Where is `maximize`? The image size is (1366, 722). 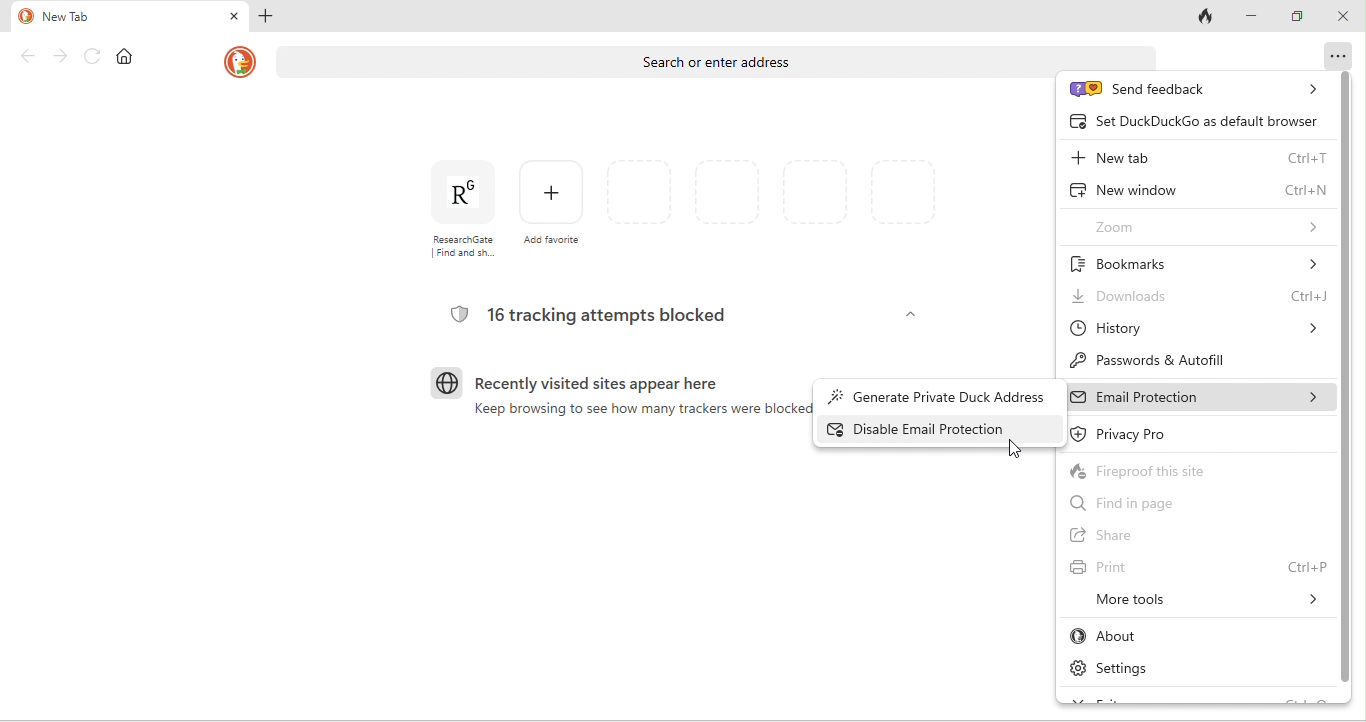 maximize is located at coordinates (1305, 18).